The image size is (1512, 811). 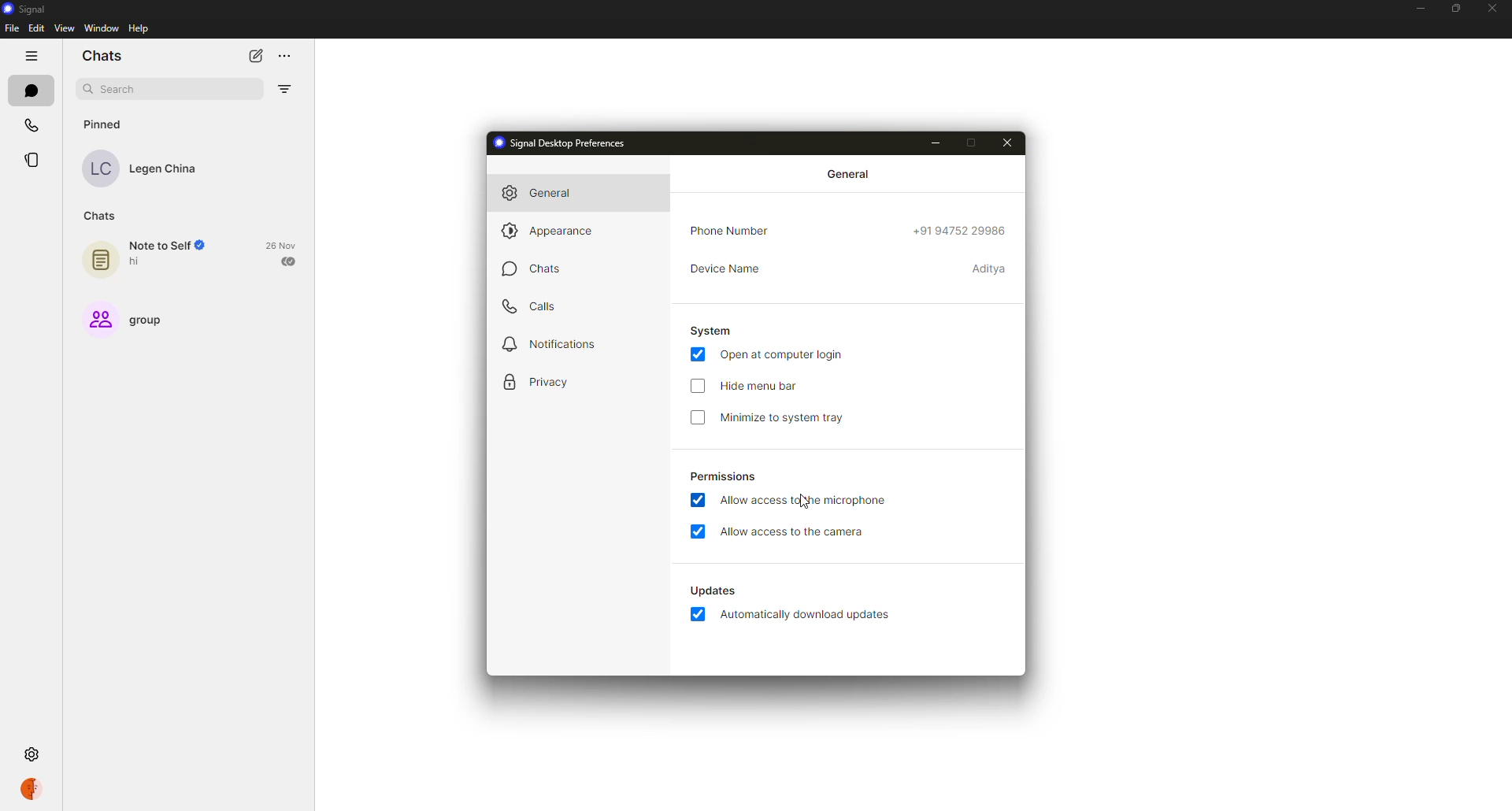 I want to click on automatically download updates, so click(x=810, y=617).